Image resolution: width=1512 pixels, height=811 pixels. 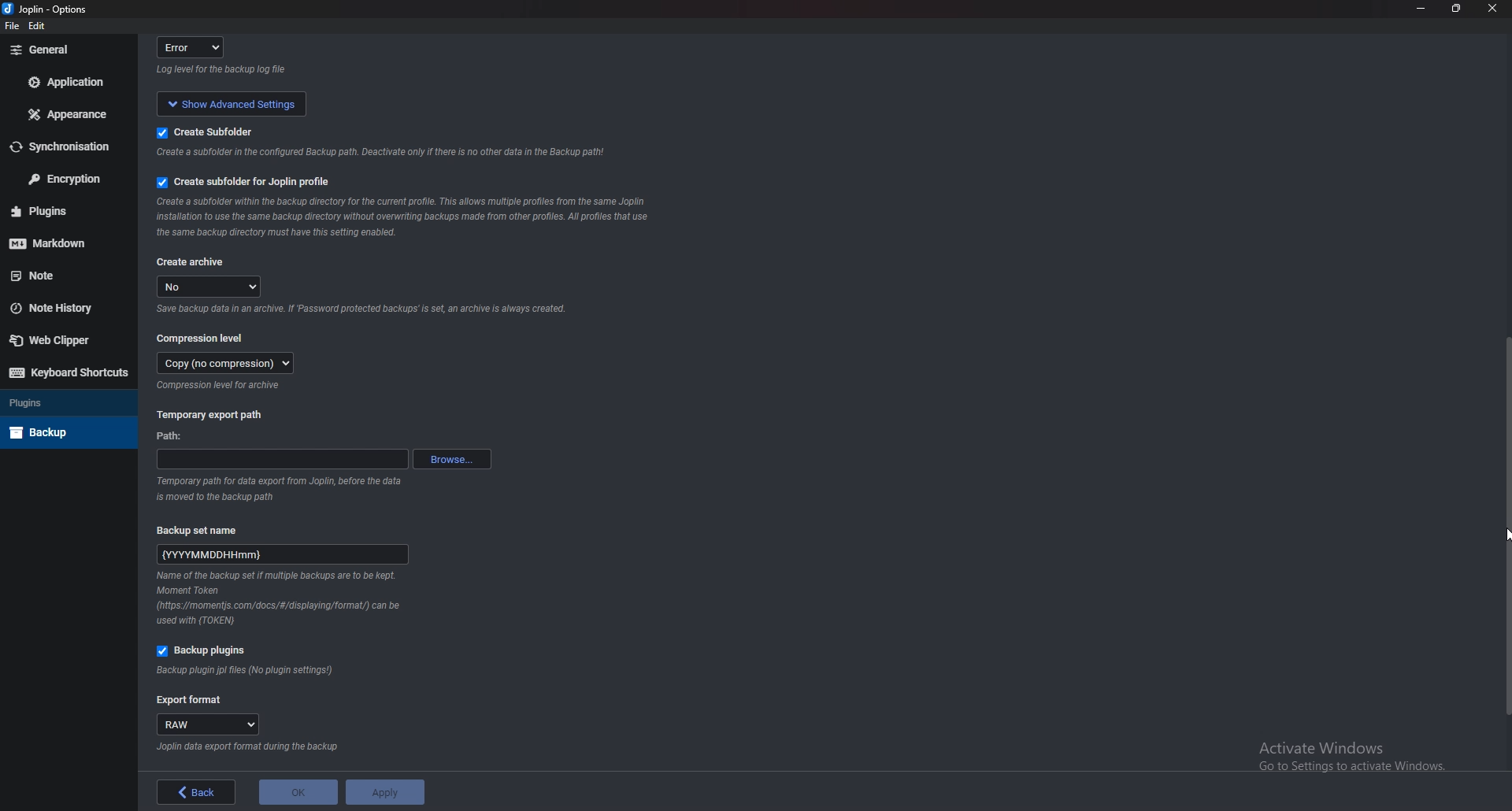 What do you see at coordinates (191, 263) in the screenshot?
I see `Create archive` at bounding box center [191, 263].